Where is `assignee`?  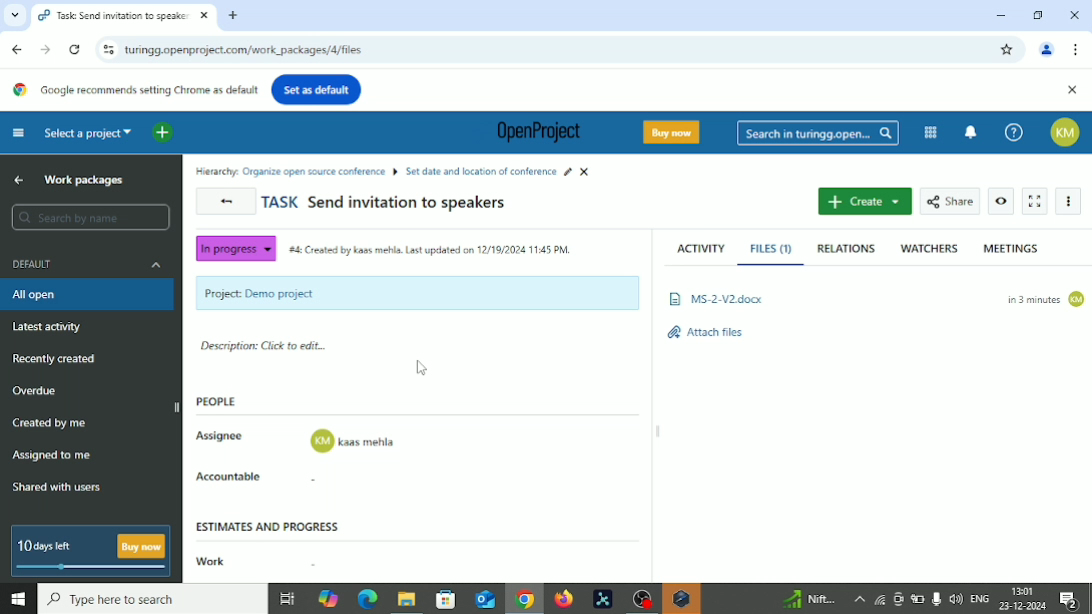 assignee is located at coordinates (354, 442).